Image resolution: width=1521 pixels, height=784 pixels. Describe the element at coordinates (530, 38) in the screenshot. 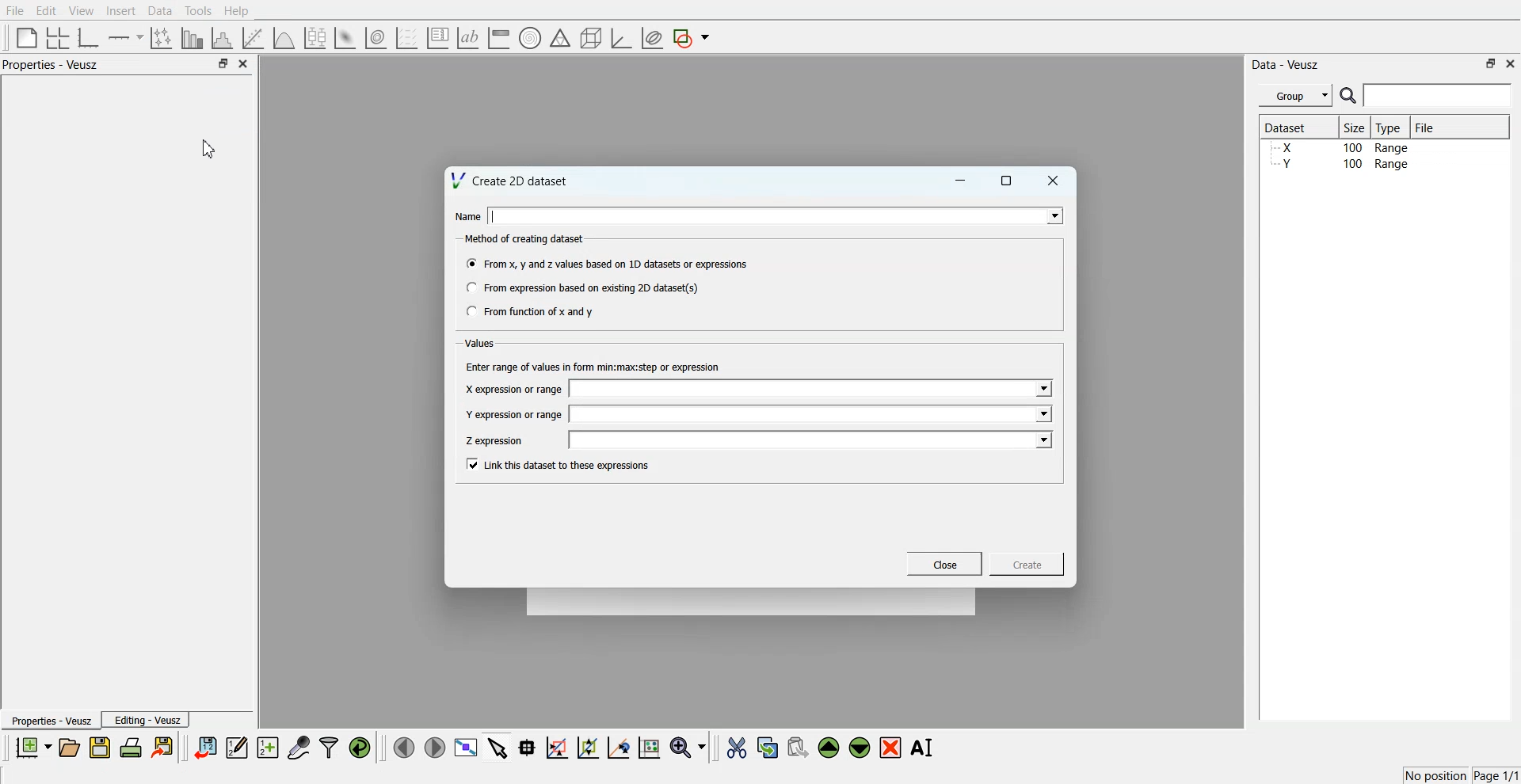

I see `Polar Graph` at that location.